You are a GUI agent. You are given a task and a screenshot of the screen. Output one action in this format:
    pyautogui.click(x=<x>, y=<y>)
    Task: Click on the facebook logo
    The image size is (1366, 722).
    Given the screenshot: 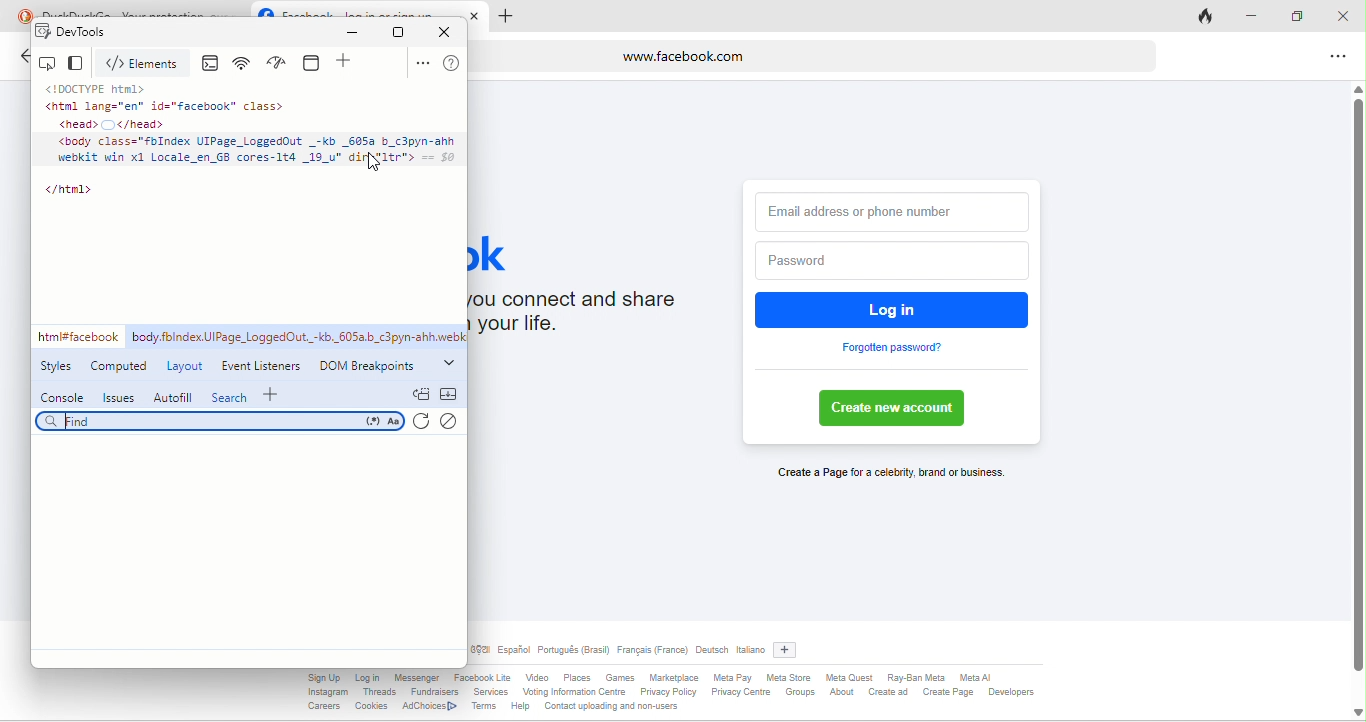 What is the action you would take?
    pyautogui.click(x=265, y=9)
    